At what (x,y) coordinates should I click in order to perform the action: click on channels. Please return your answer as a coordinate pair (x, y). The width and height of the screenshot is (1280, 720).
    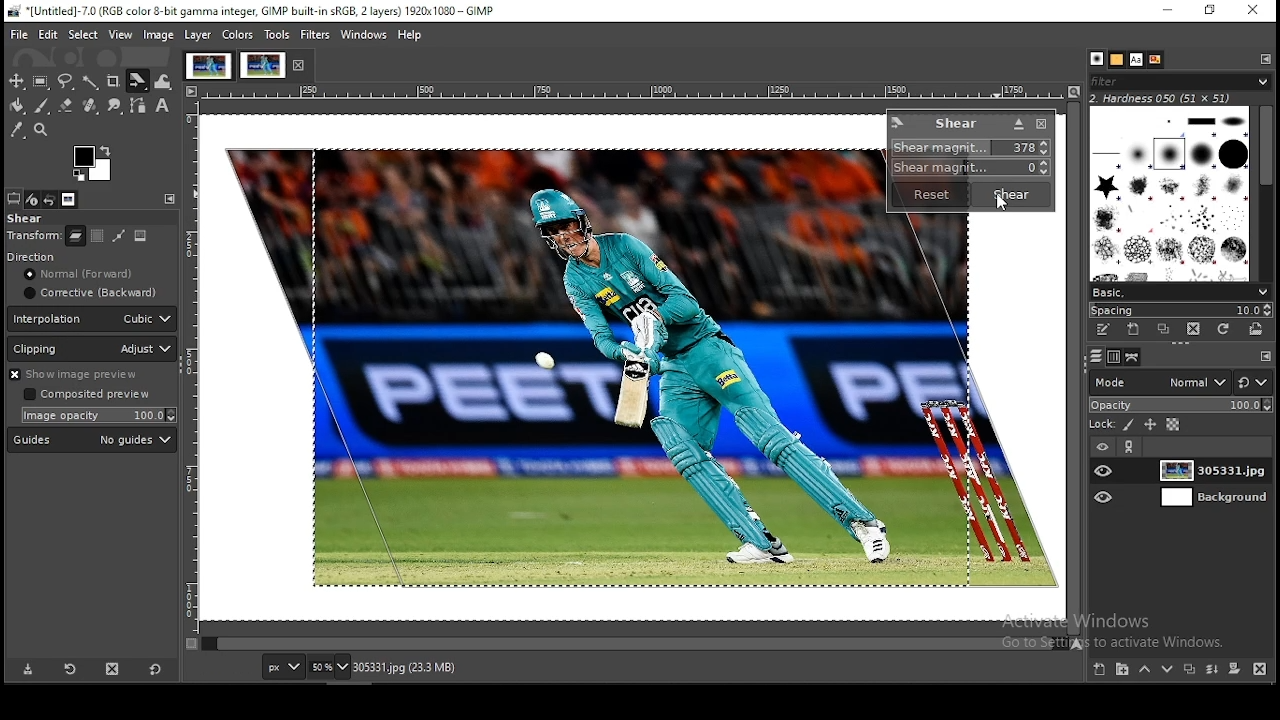
    Looking at the image, I should click on (1116, 357).